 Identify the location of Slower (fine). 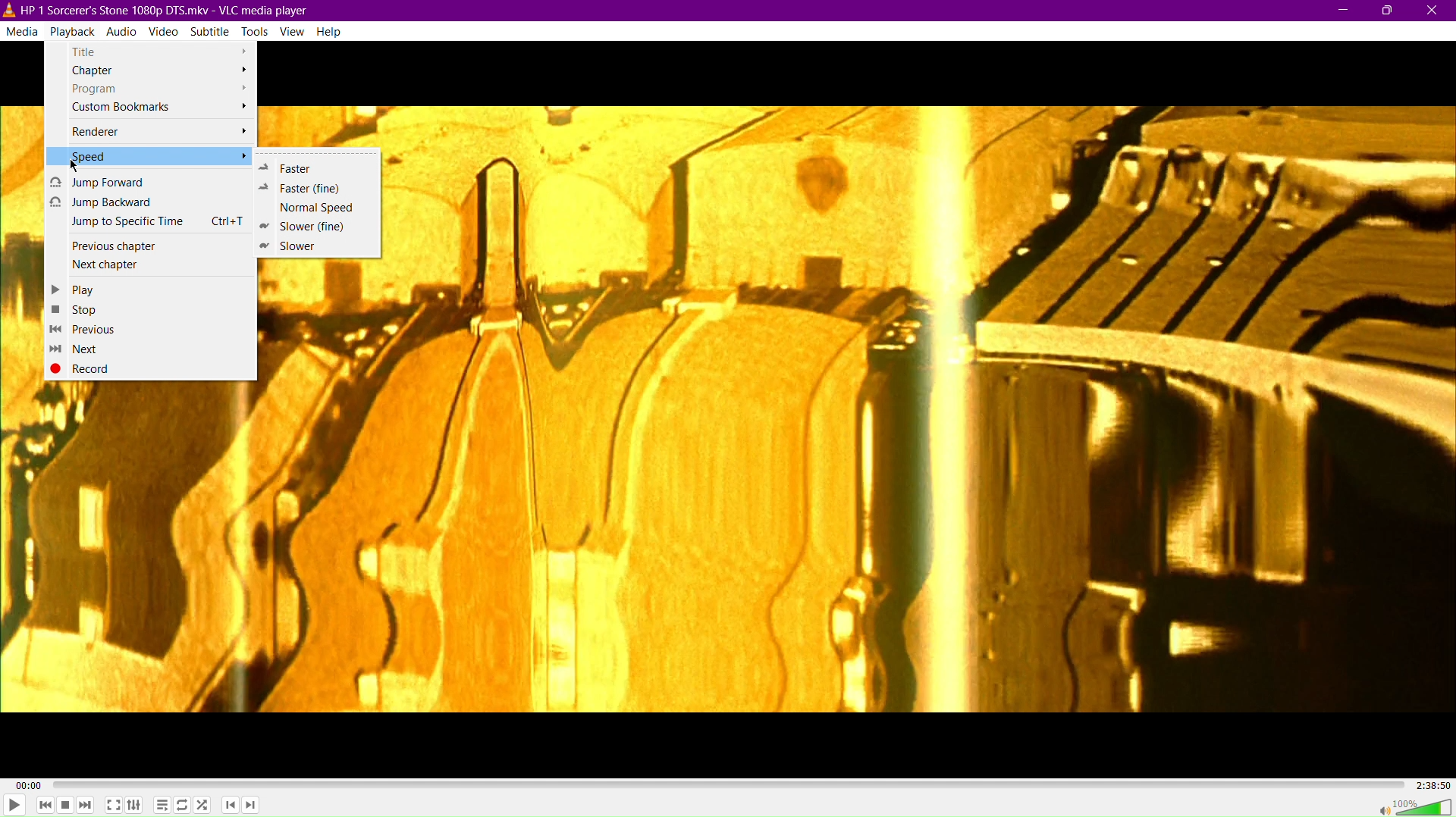
(308, 227).